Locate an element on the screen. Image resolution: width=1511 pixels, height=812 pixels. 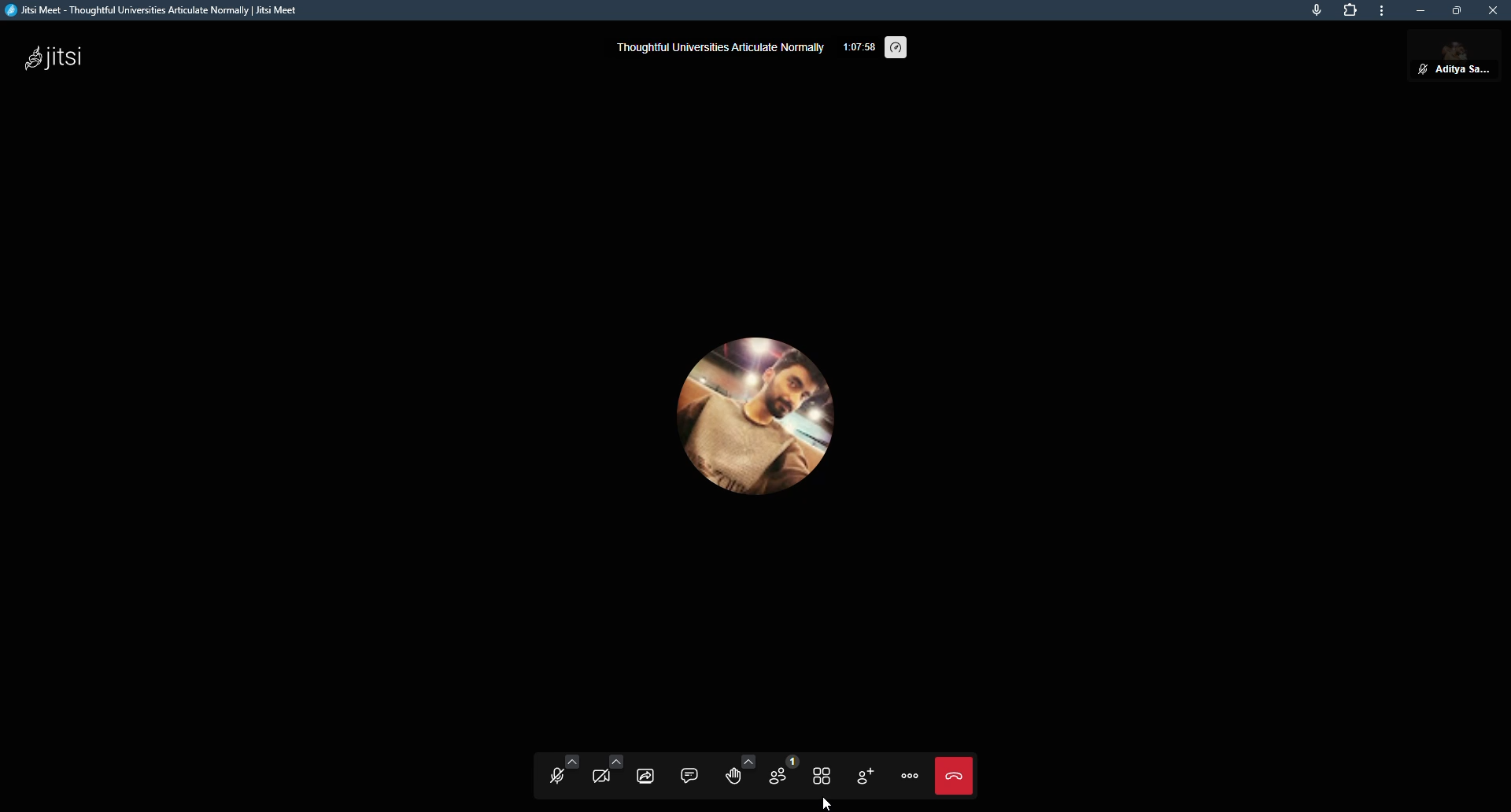
raise hand is located at coordinates (735, 773).